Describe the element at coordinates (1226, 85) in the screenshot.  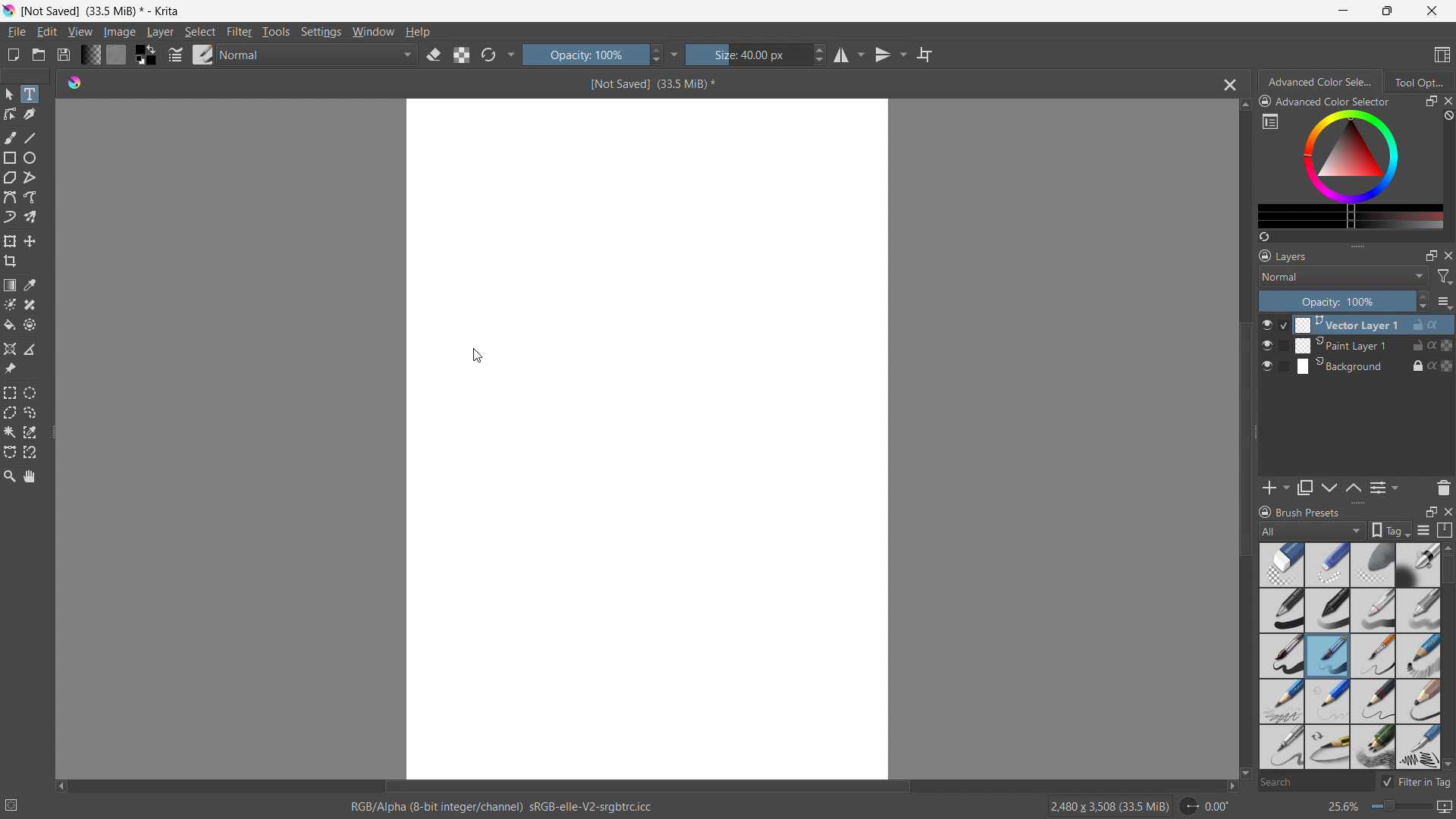
I see `close document` at that location.